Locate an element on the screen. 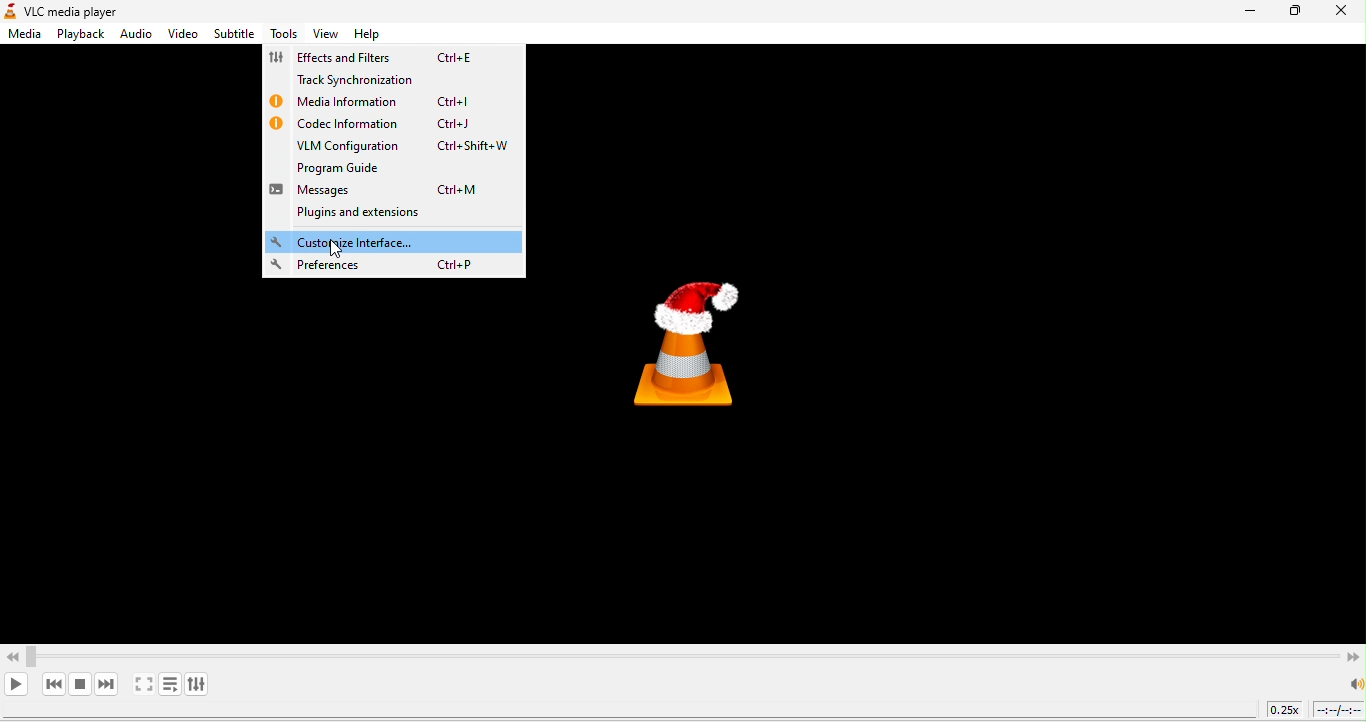 The image size is (1366, 722). logo is located at coordinates (9, 12).